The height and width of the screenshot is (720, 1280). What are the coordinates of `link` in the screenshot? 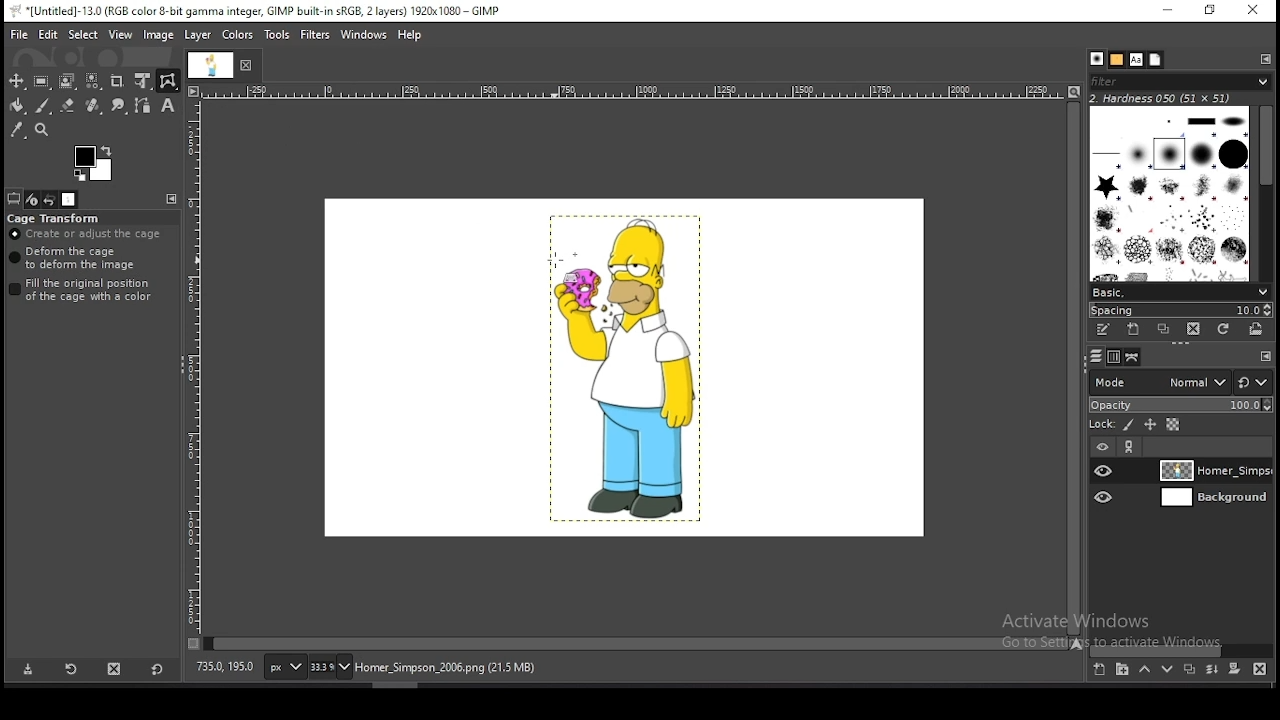 It's located at (1131, 448).